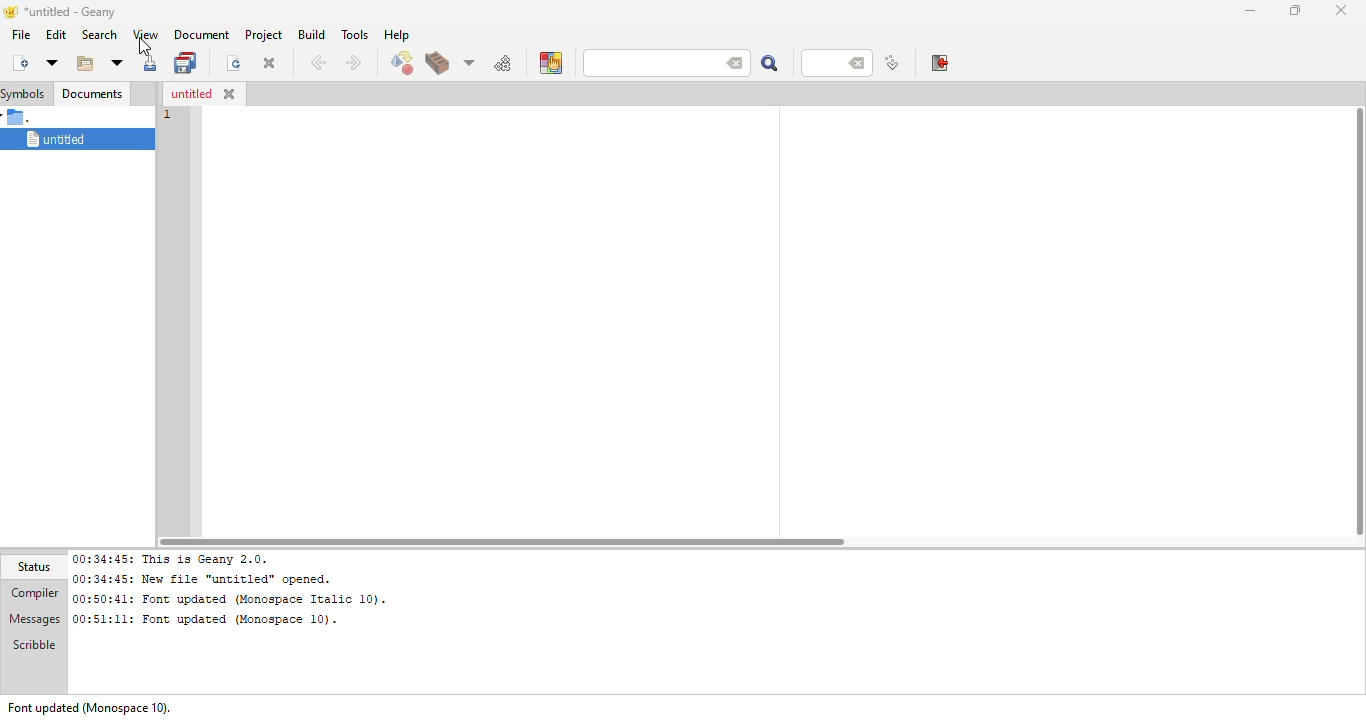  What do you see at coordinates (31, 647) in the screenshot?
I see `scribble` at bounding box center [31, 647].